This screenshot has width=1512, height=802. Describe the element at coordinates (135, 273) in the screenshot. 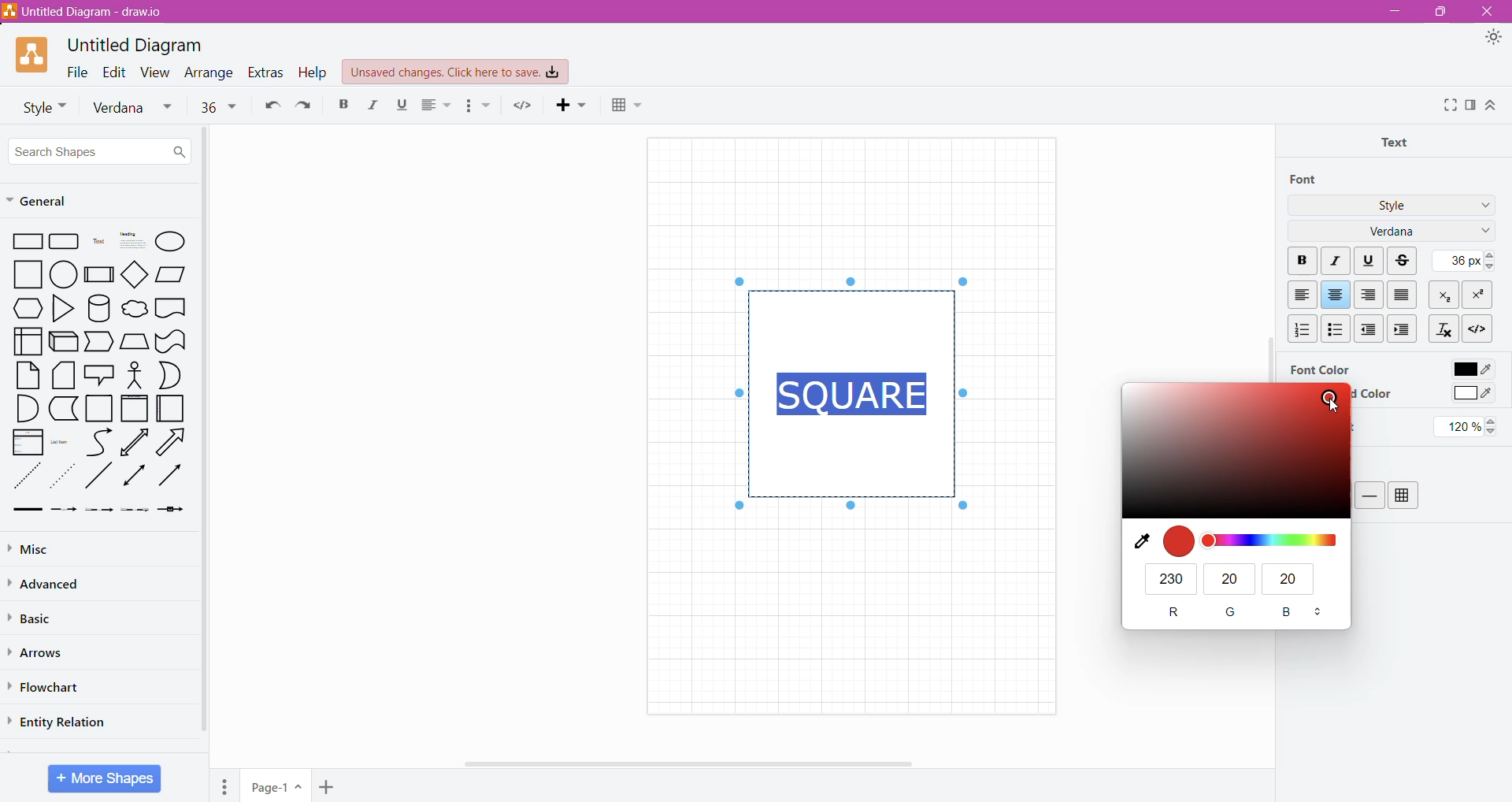

I see `Diamond` at that location.